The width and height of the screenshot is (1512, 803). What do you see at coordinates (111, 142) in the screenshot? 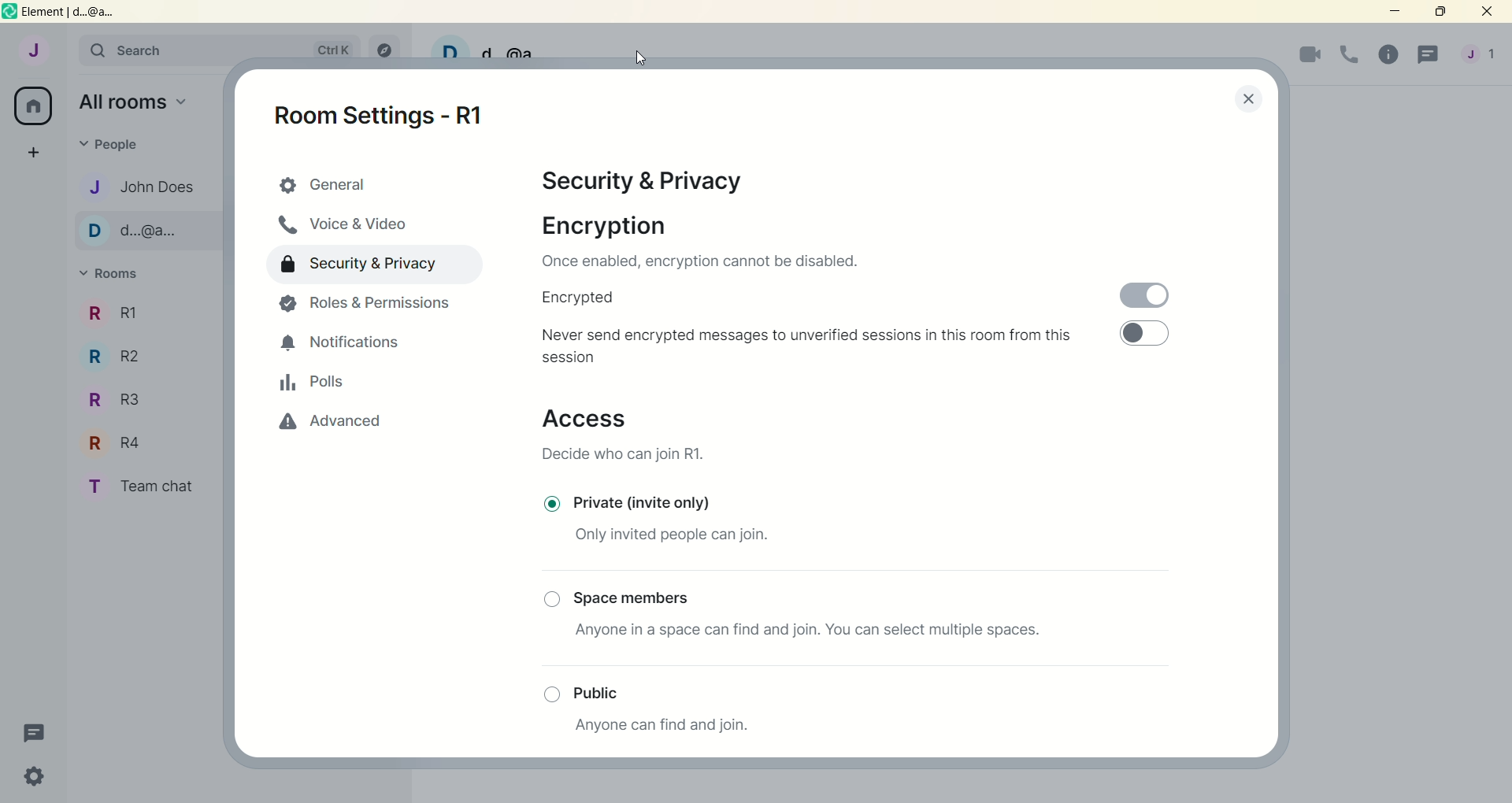
I see `people` at bounding box center [111, 142].